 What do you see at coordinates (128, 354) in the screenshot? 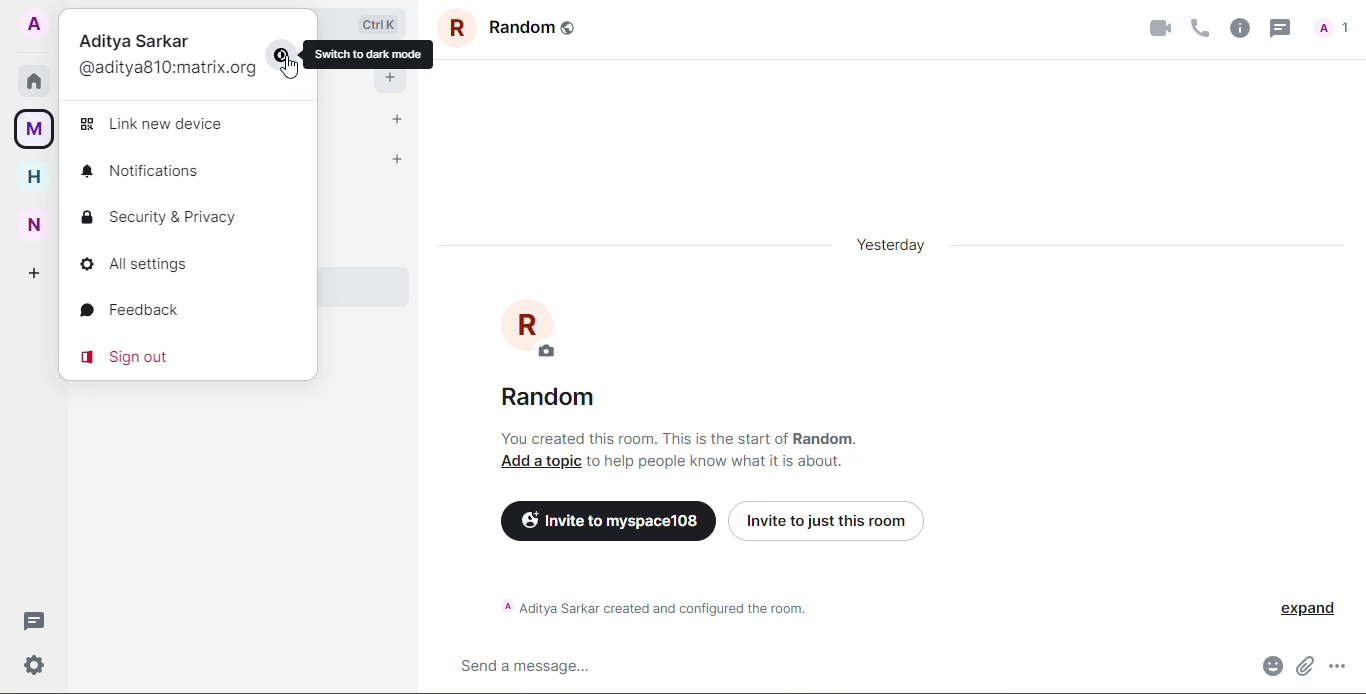
I see `sign out` at bounding box center [128, 354].